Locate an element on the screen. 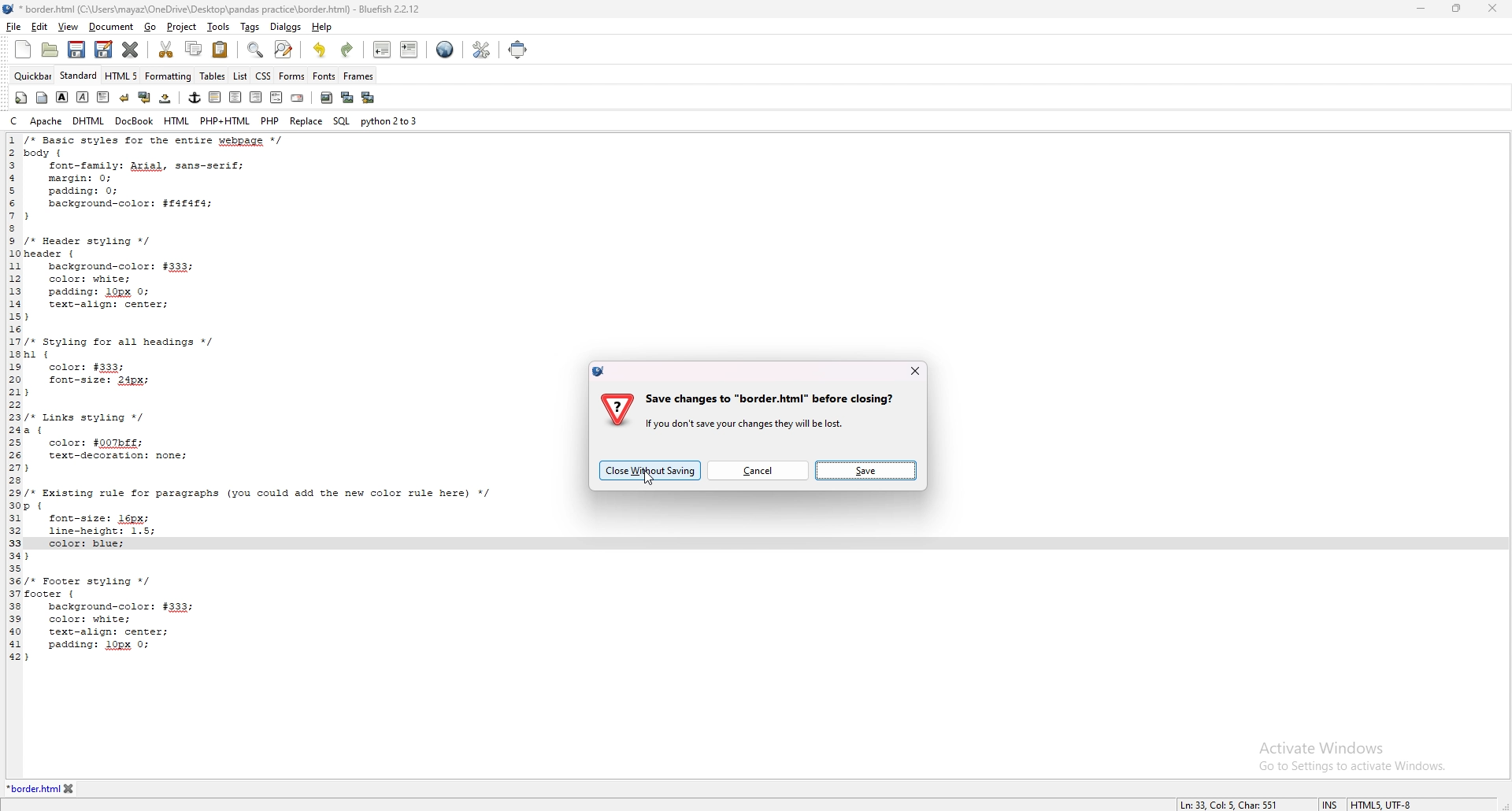 The width and height of the screenshot is (1512, 811). cut is located at coordinates (166, 49).